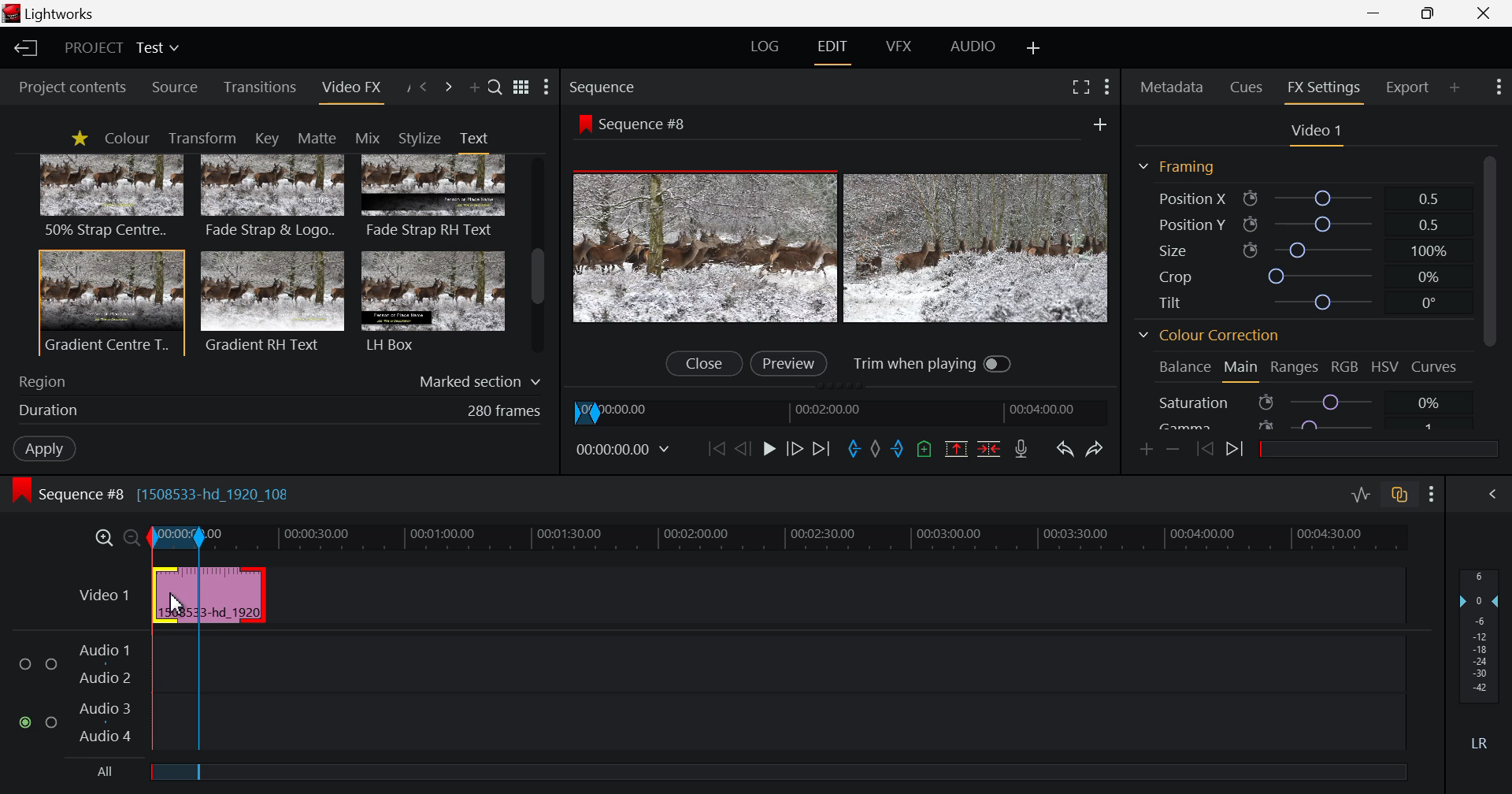 The height and width of the screenshot is (794, 1512). I want to click on Trim when playing, so click(933, 363).